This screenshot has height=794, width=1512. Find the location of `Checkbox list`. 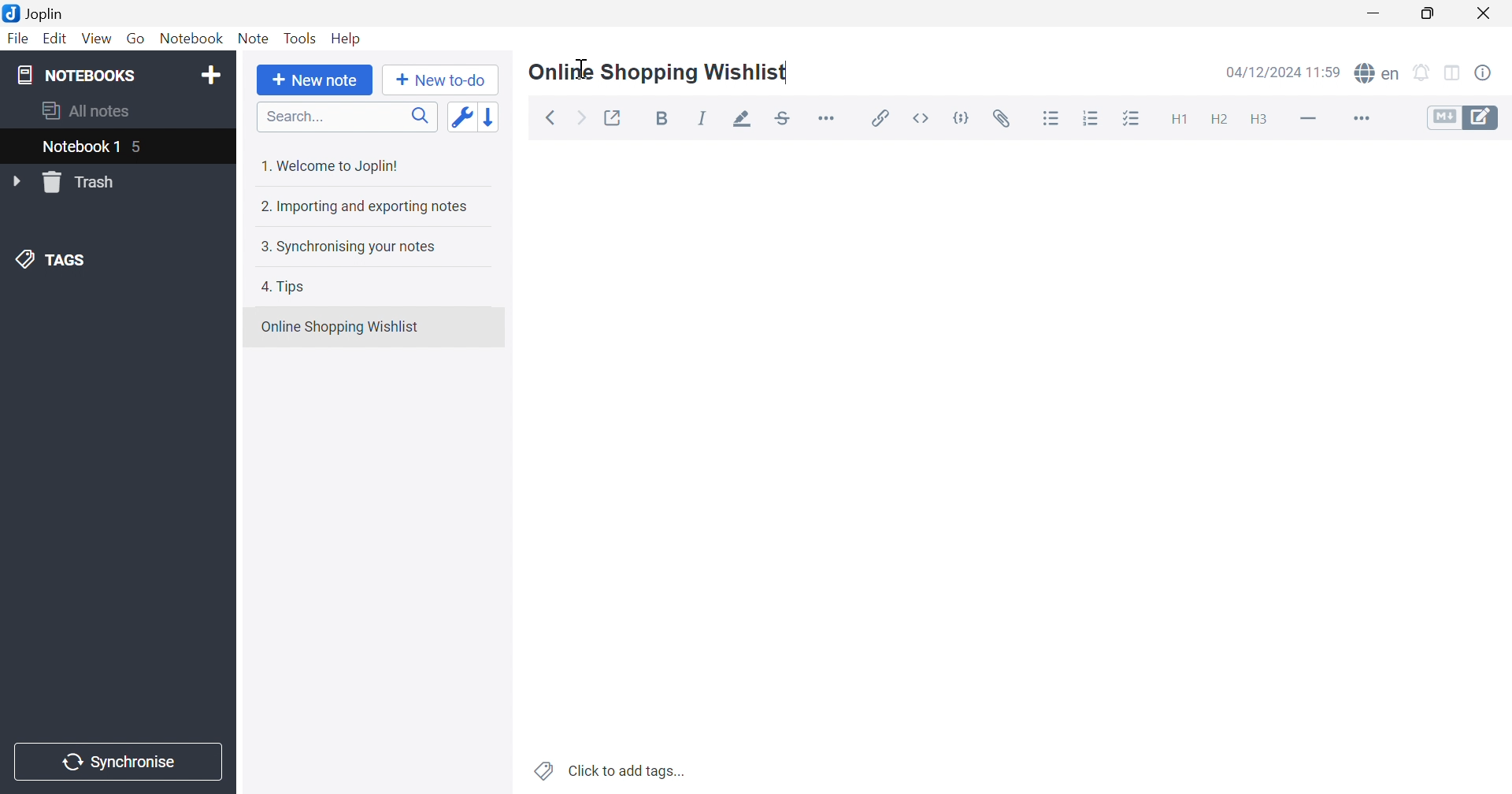

Checkbox list is located at coordinates (1136, 118).